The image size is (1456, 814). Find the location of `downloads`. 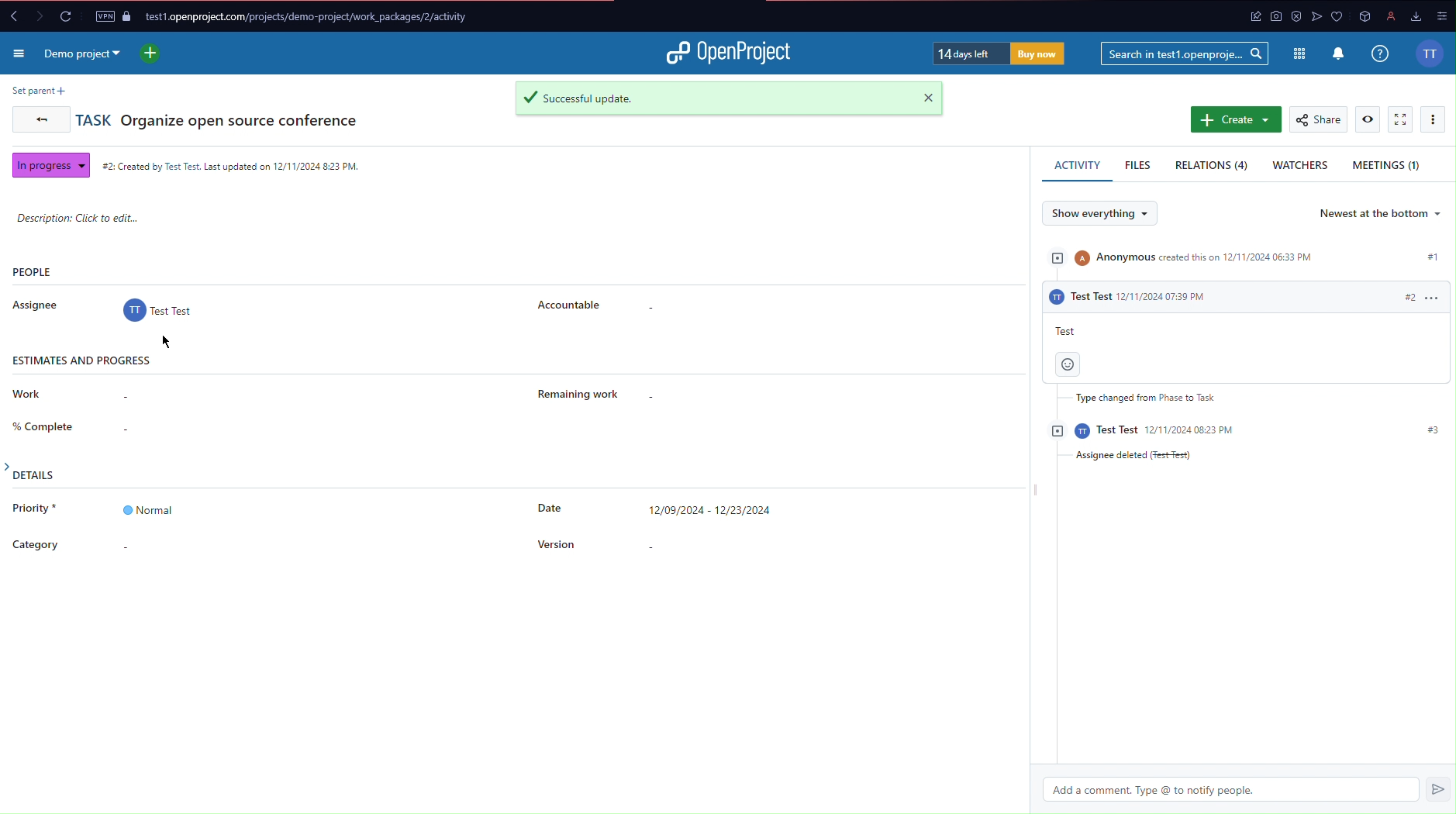

downloads is located at coordinates (1413, 16).